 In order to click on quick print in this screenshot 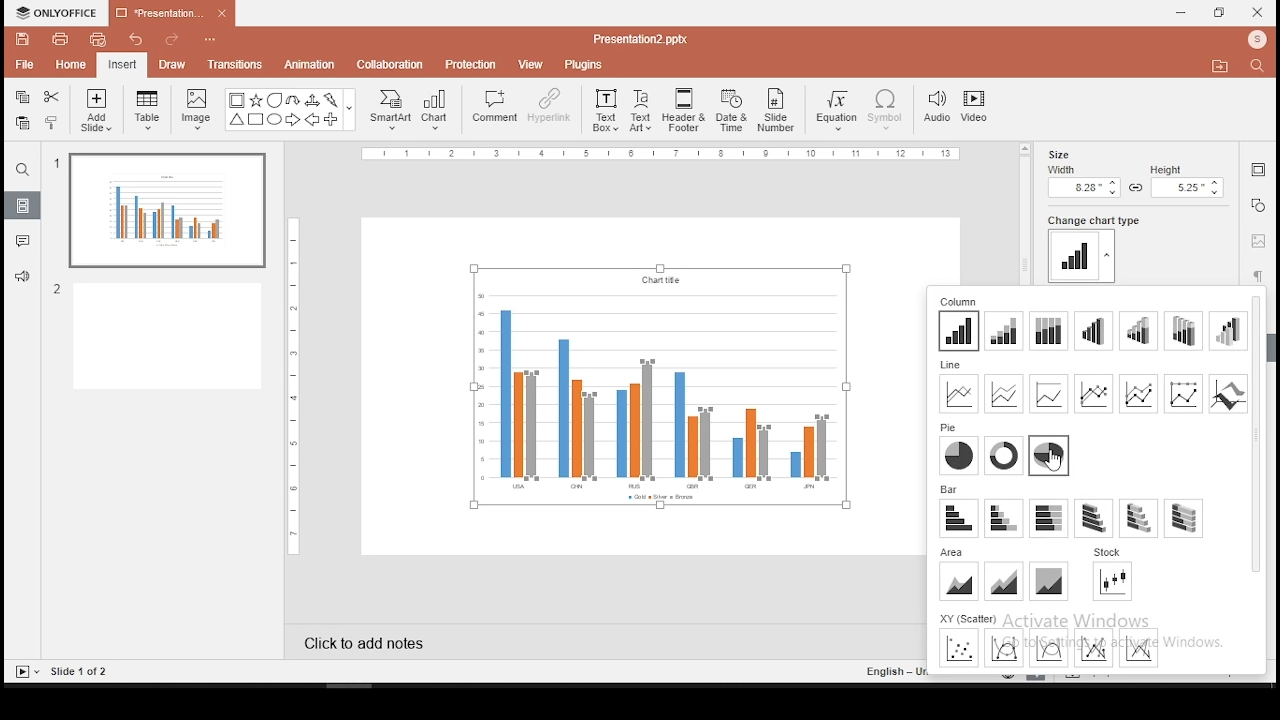, I will do `click(100, 39)`.